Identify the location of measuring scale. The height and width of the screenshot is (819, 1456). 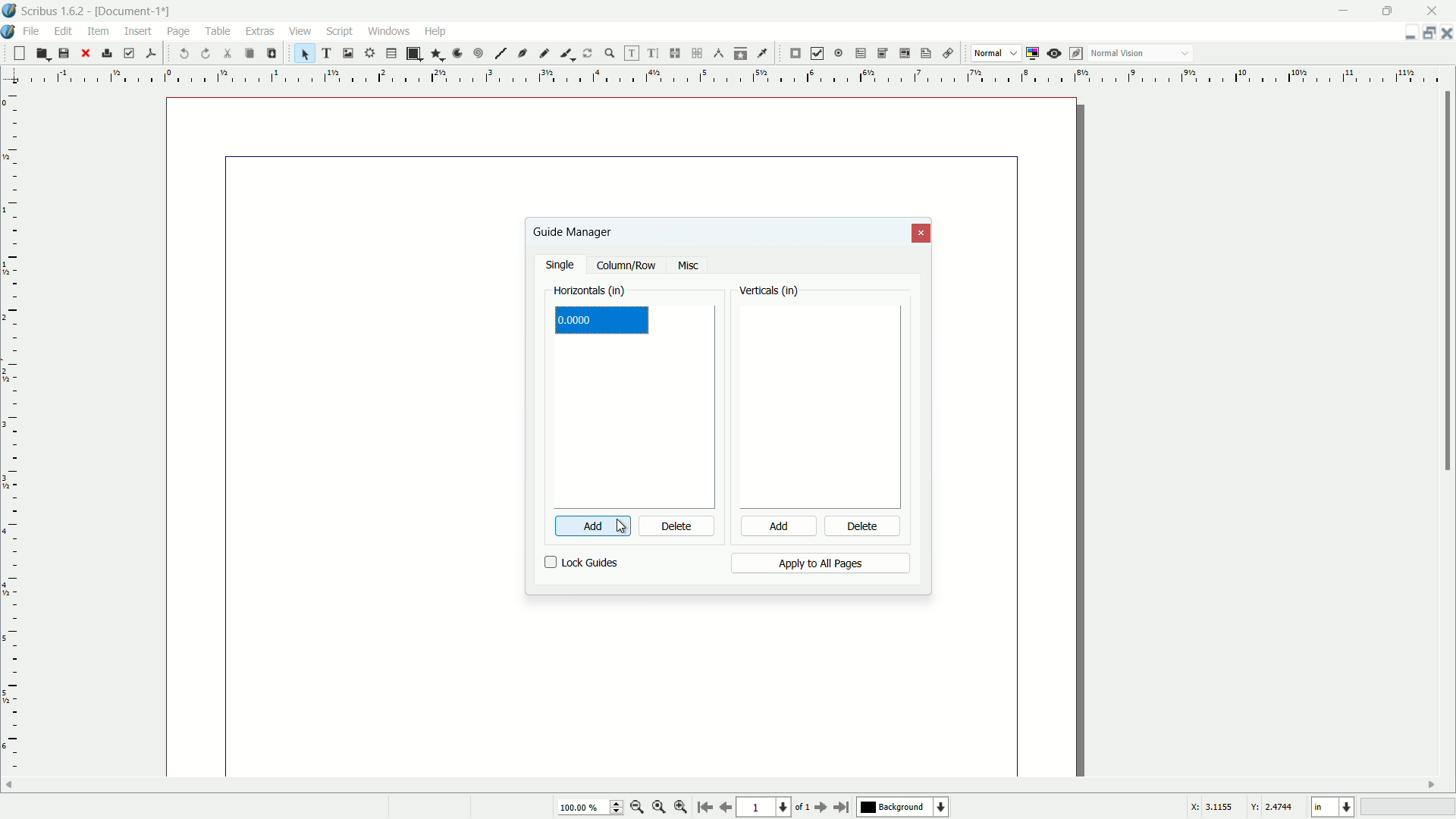
(722, 77).